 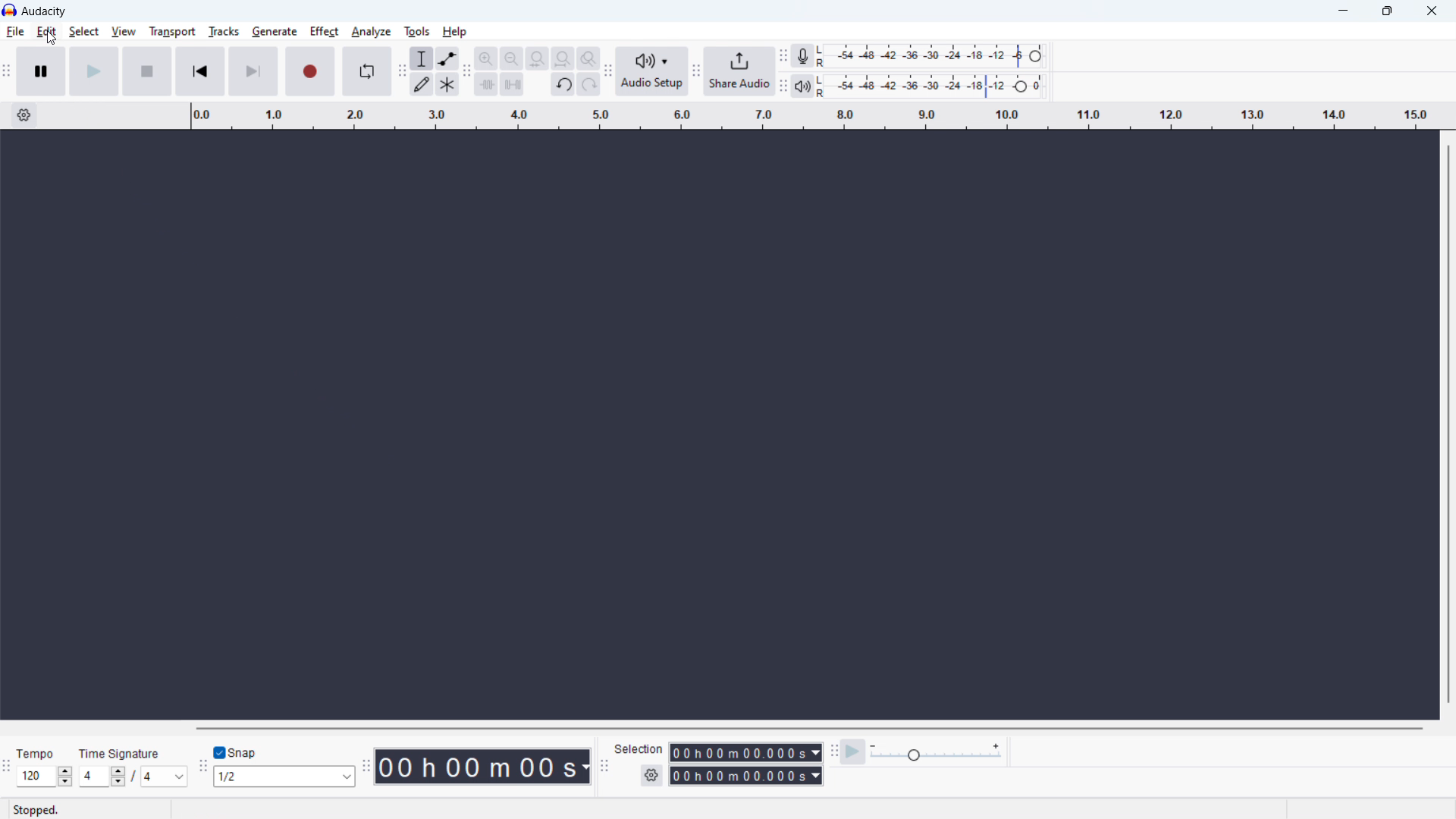 I want to click on silence audio selection, so click(x=513, y=83).